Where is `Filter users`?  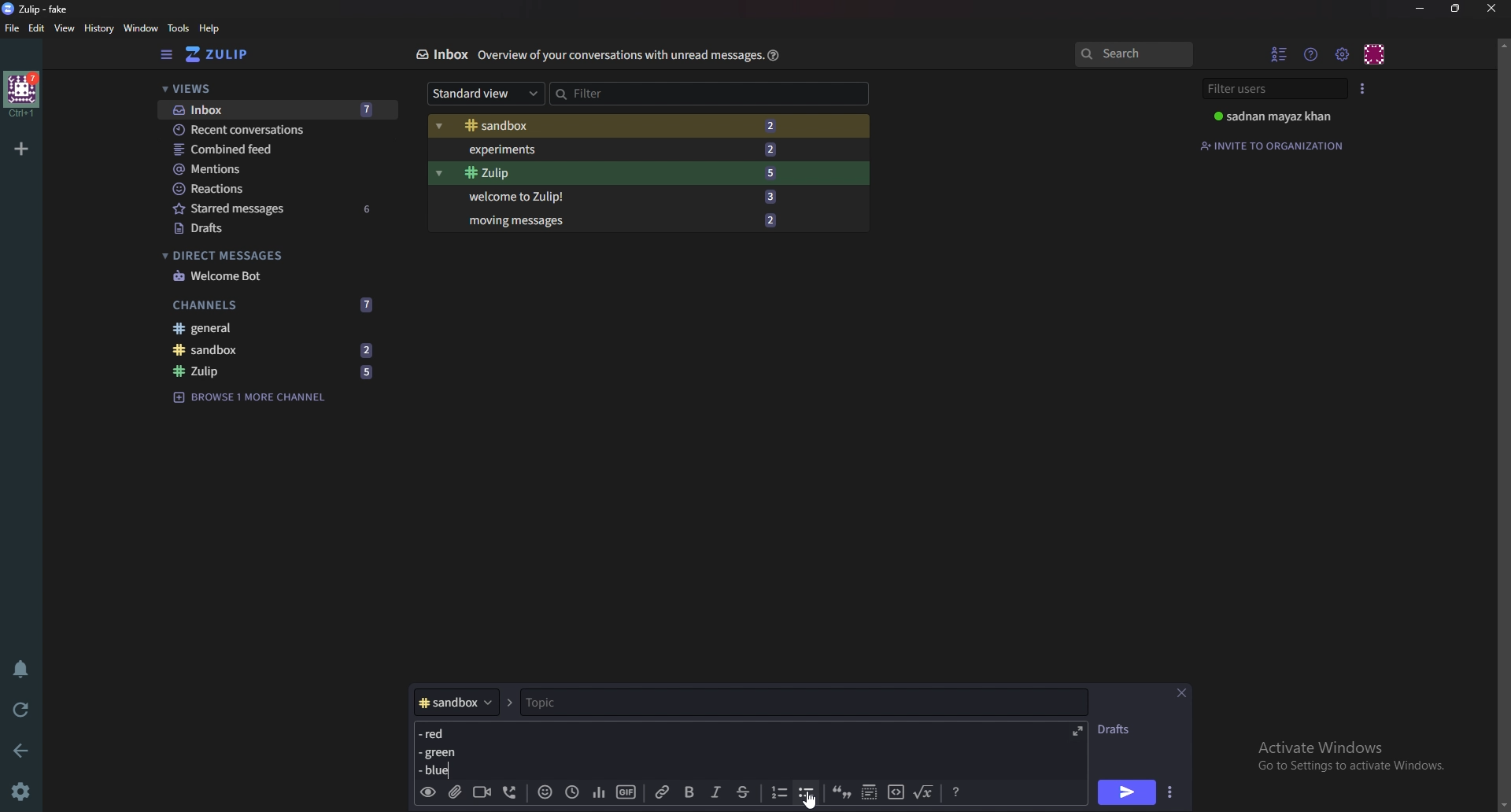
Filter users is located at coordinates (1277, 89).